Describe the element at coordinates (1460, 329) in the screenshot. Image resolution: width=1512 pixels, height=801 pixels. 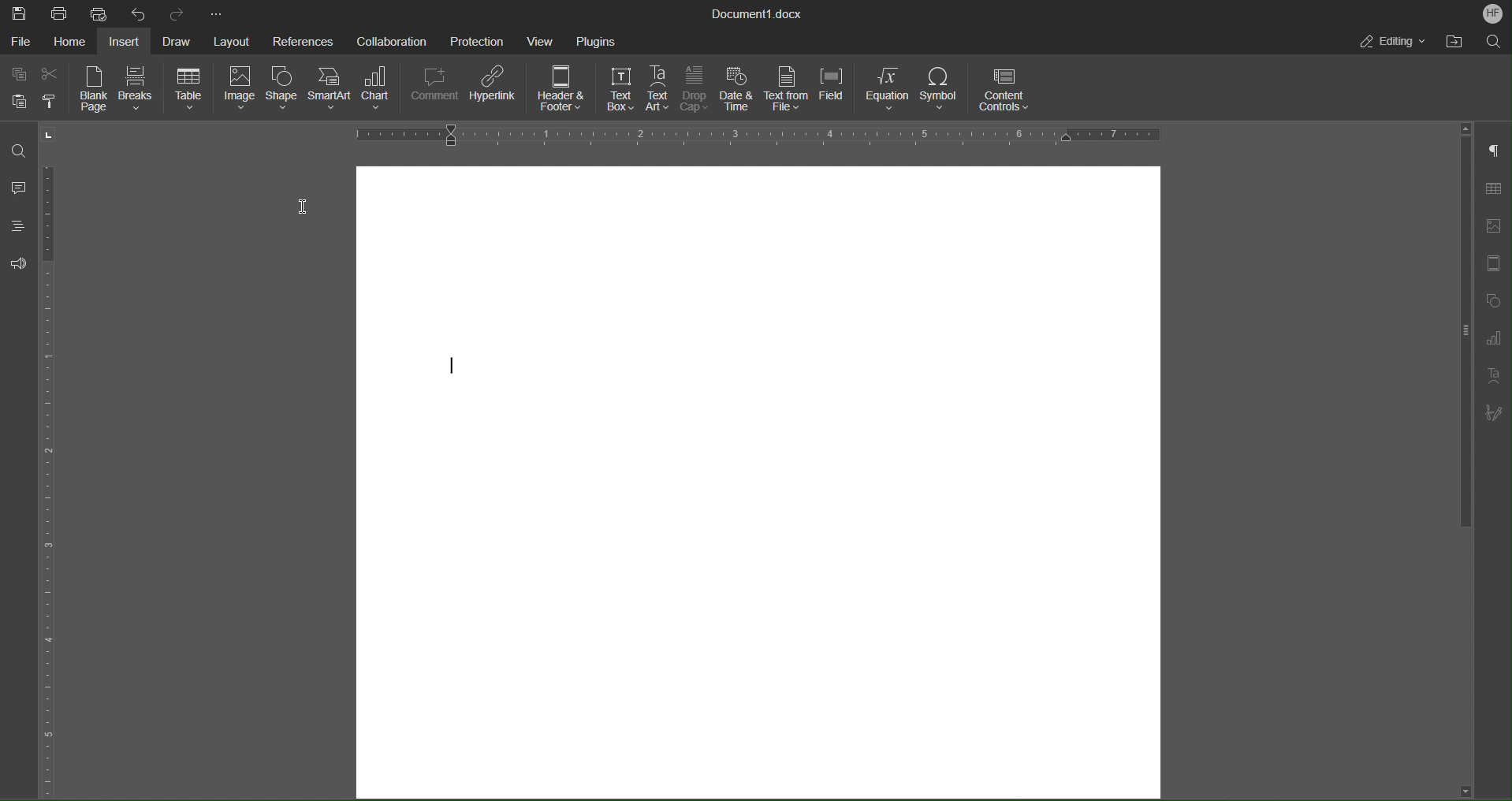
I see `vertical scroll bar` at that location.